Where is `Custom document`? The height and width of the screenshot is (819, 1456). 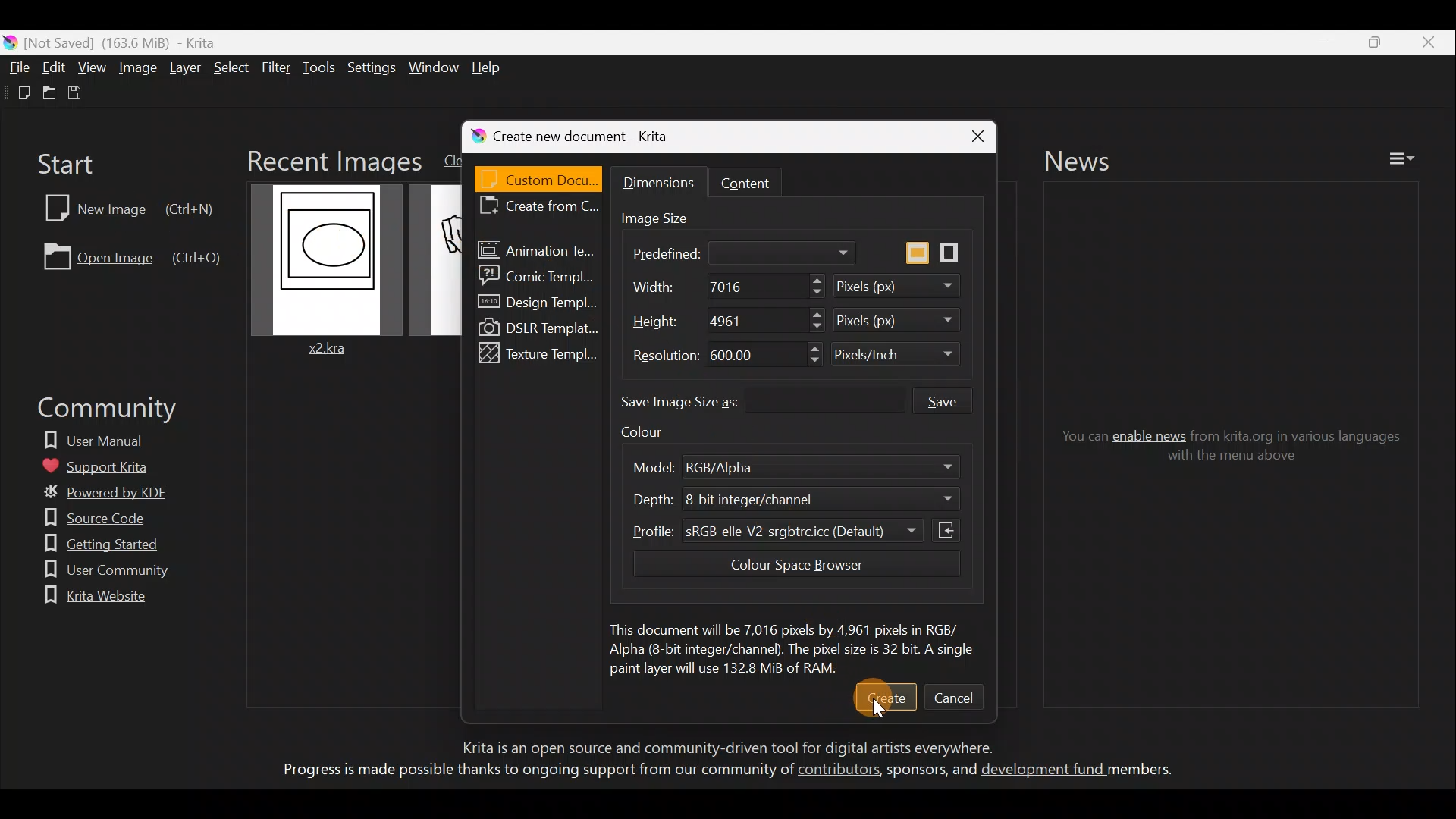 Custom document is located at coordinates (538, 176).